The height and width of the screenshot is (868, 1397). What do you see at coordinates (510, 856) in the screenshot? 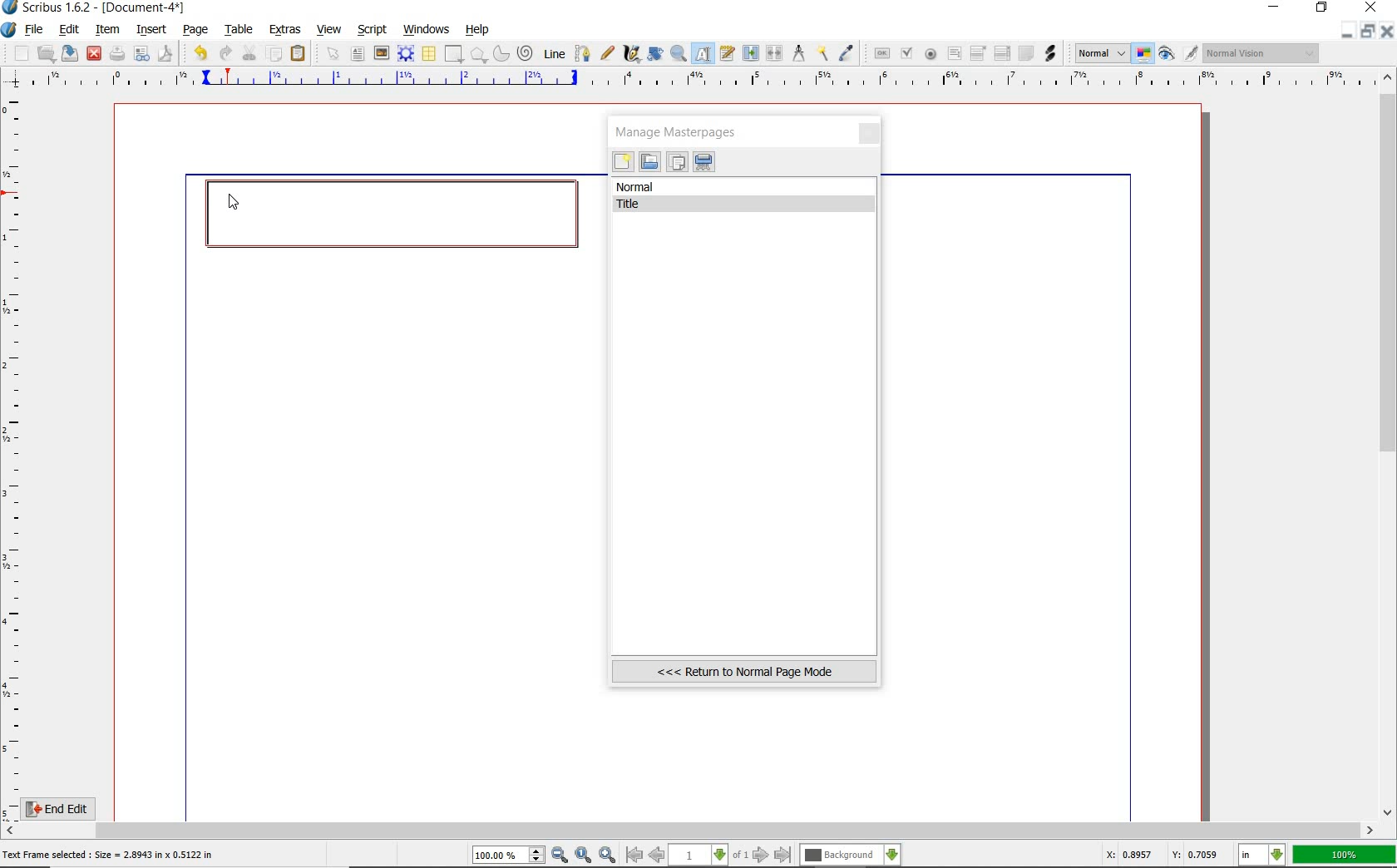
I see `100.00%` at bounding box center [510, 856].